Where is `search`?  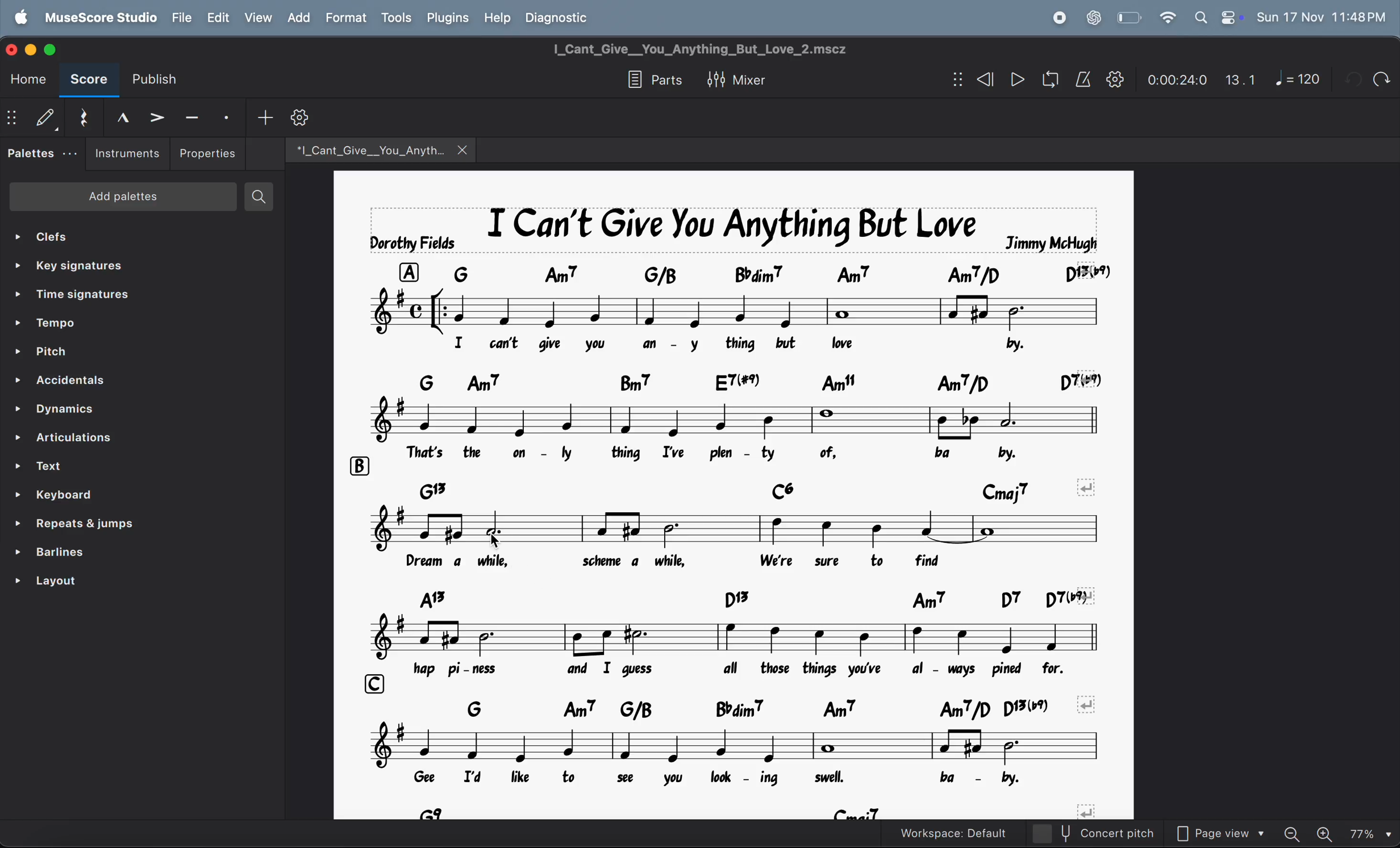
search is located at coordinates (265, 197).